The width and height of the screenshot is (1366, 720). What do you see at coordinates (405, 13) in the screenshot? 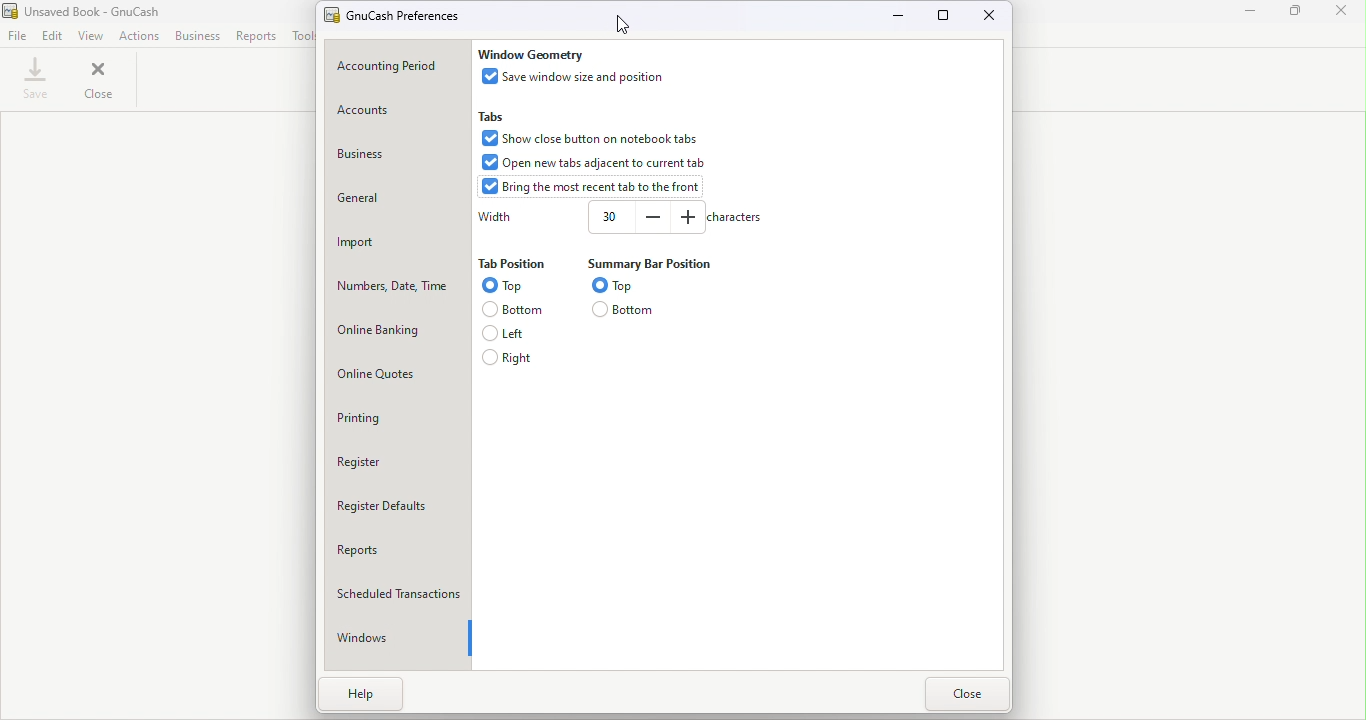
I see `File name` at bounding box center [405, 13].